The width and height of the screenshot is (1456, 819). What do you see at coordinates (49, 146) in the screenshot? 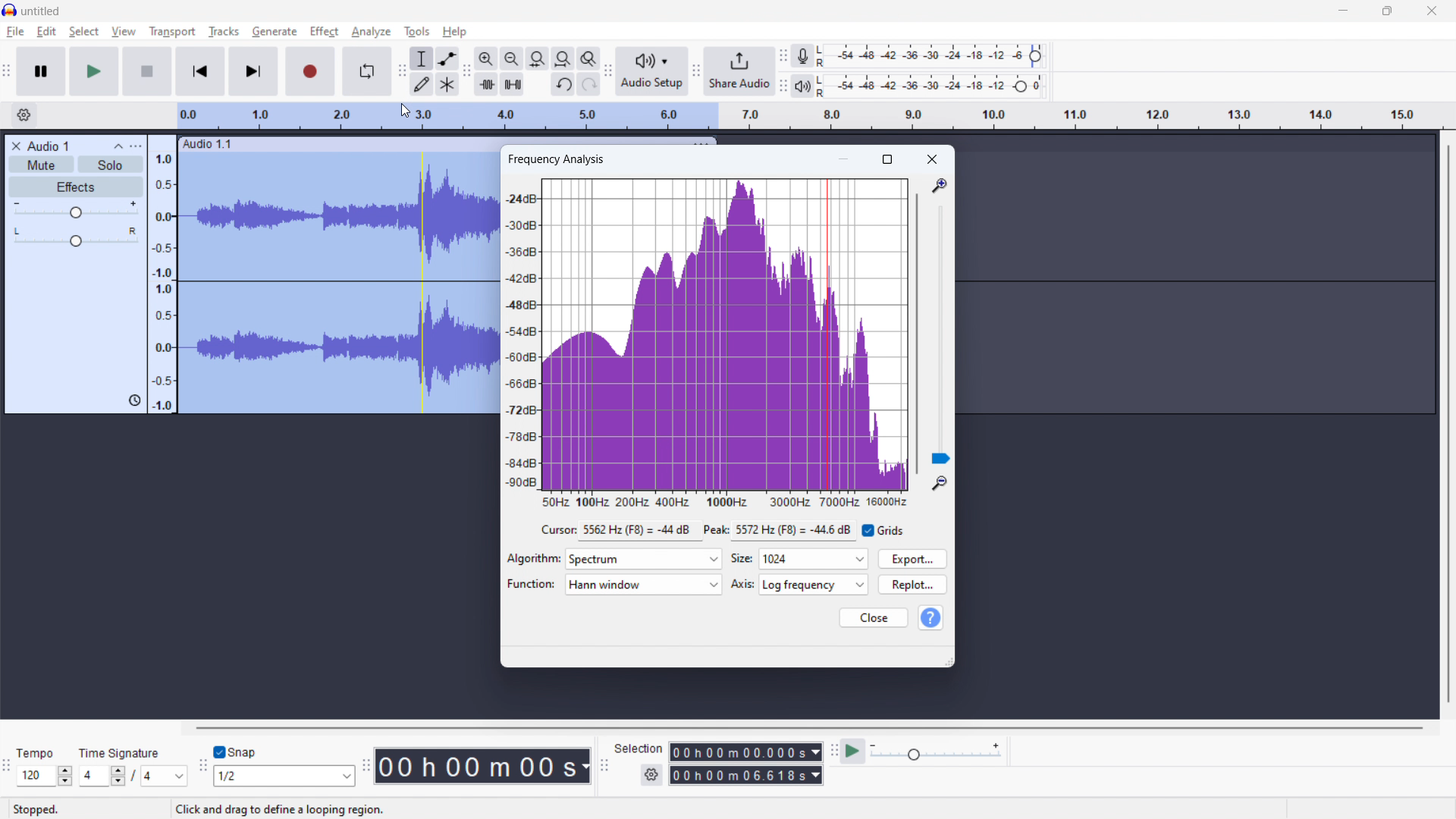
I see `track title` at bounding box center [49, 146].